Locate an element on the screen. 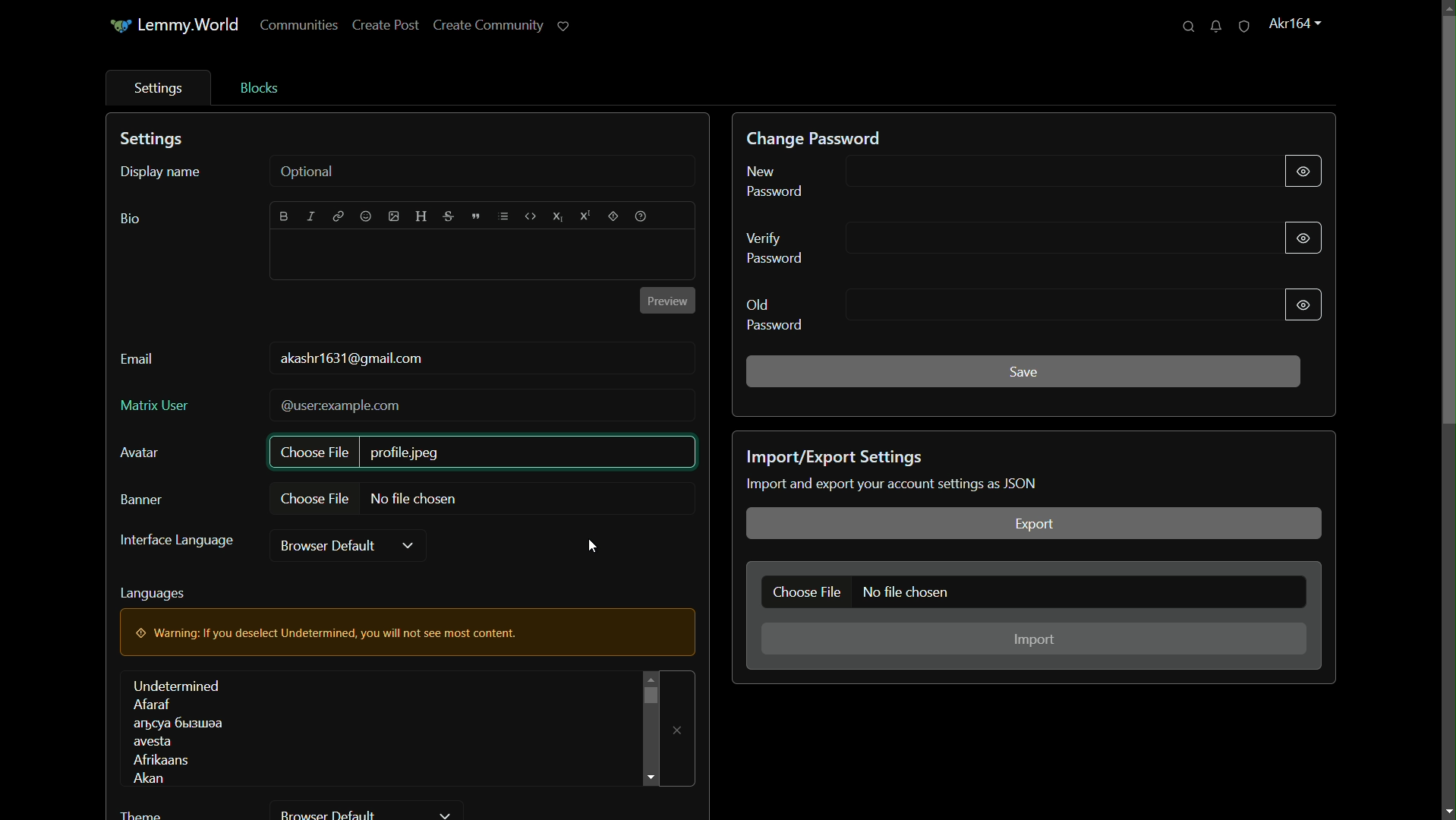 The height and width of the screenshot is (820, 1456). new password is located at coordinates (777, 181).